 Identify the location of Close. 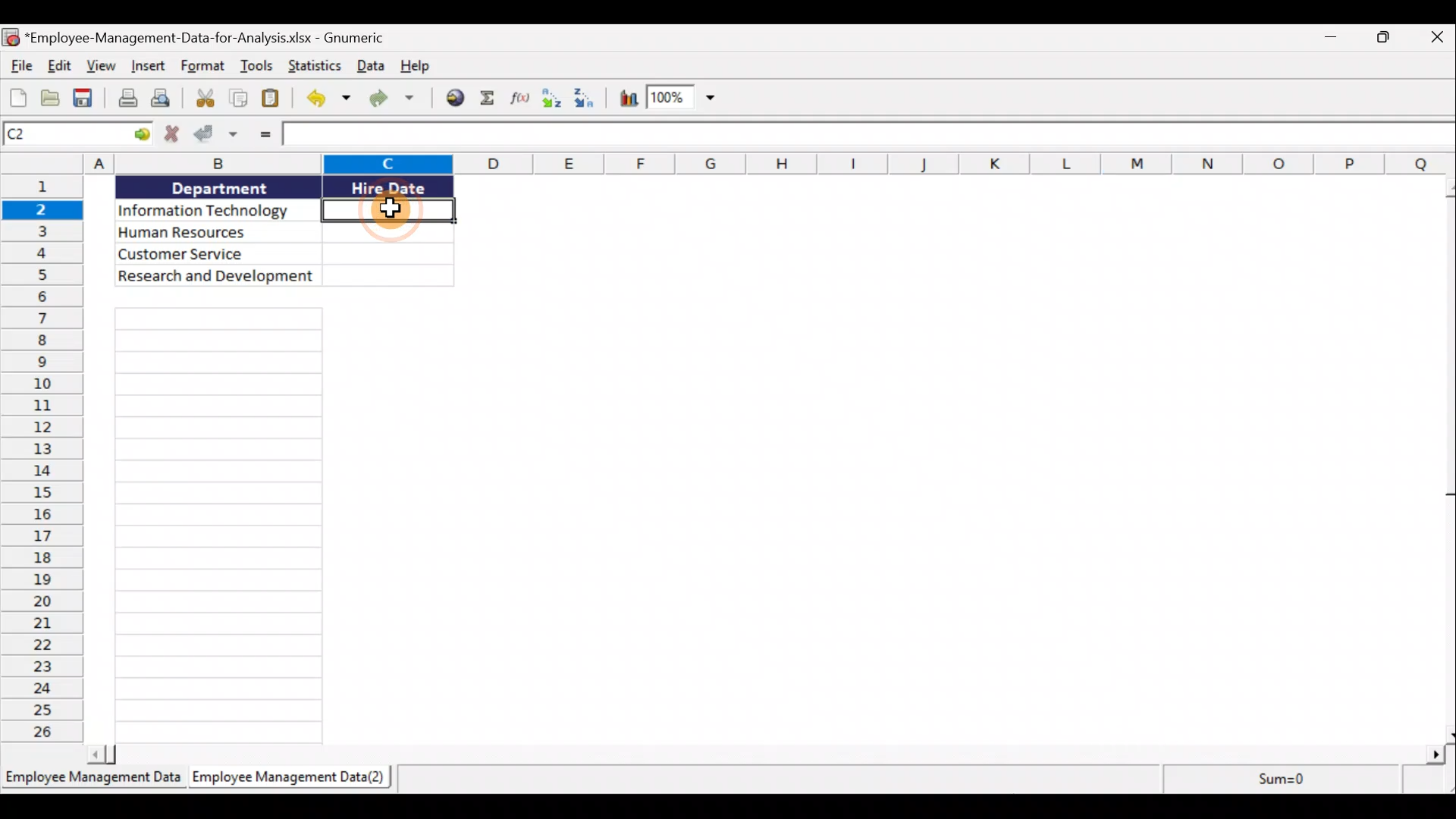
(1439, 38).